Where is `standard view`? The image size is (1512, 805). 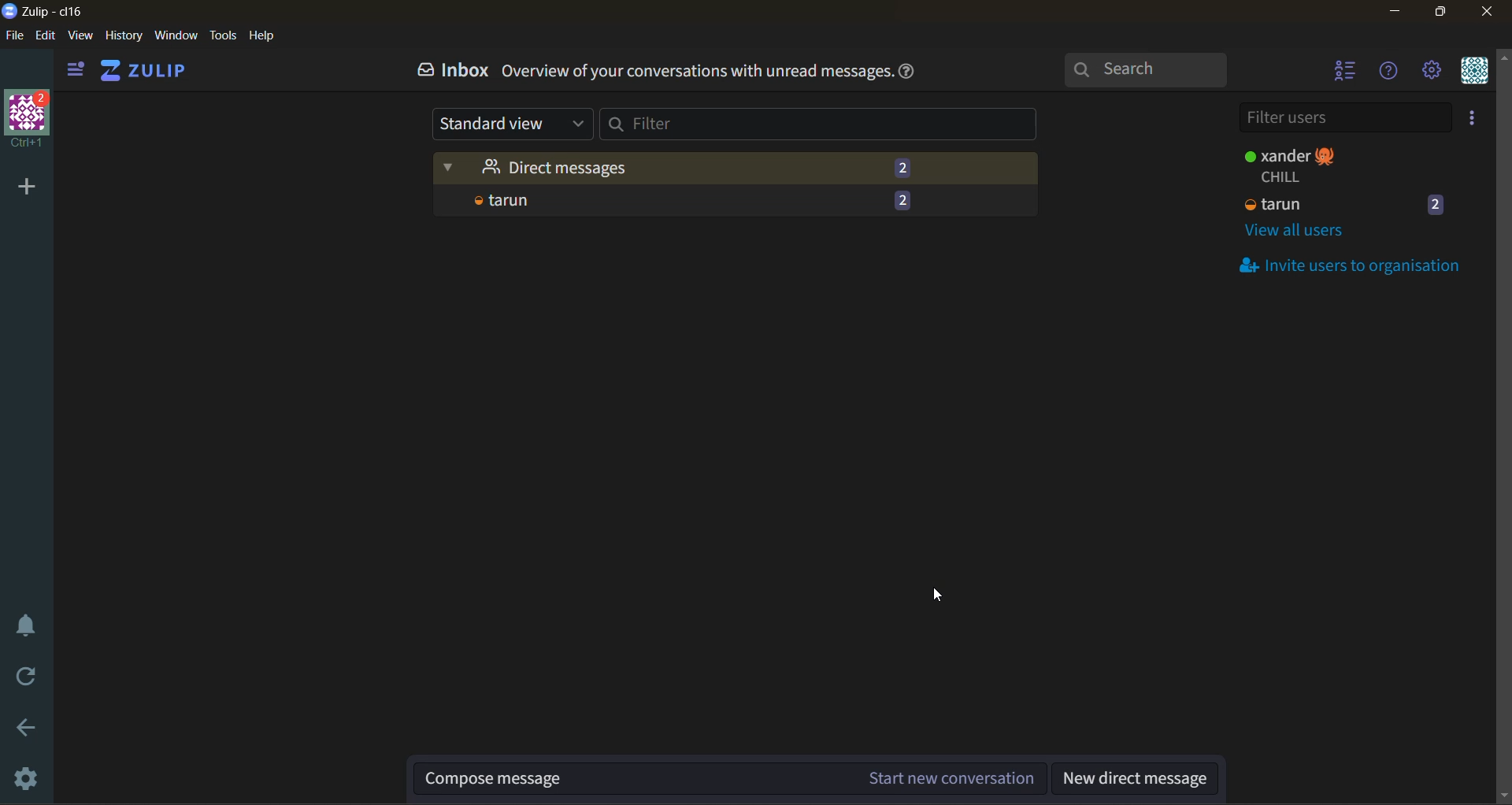
standard view is located at coordinates (510, 124).